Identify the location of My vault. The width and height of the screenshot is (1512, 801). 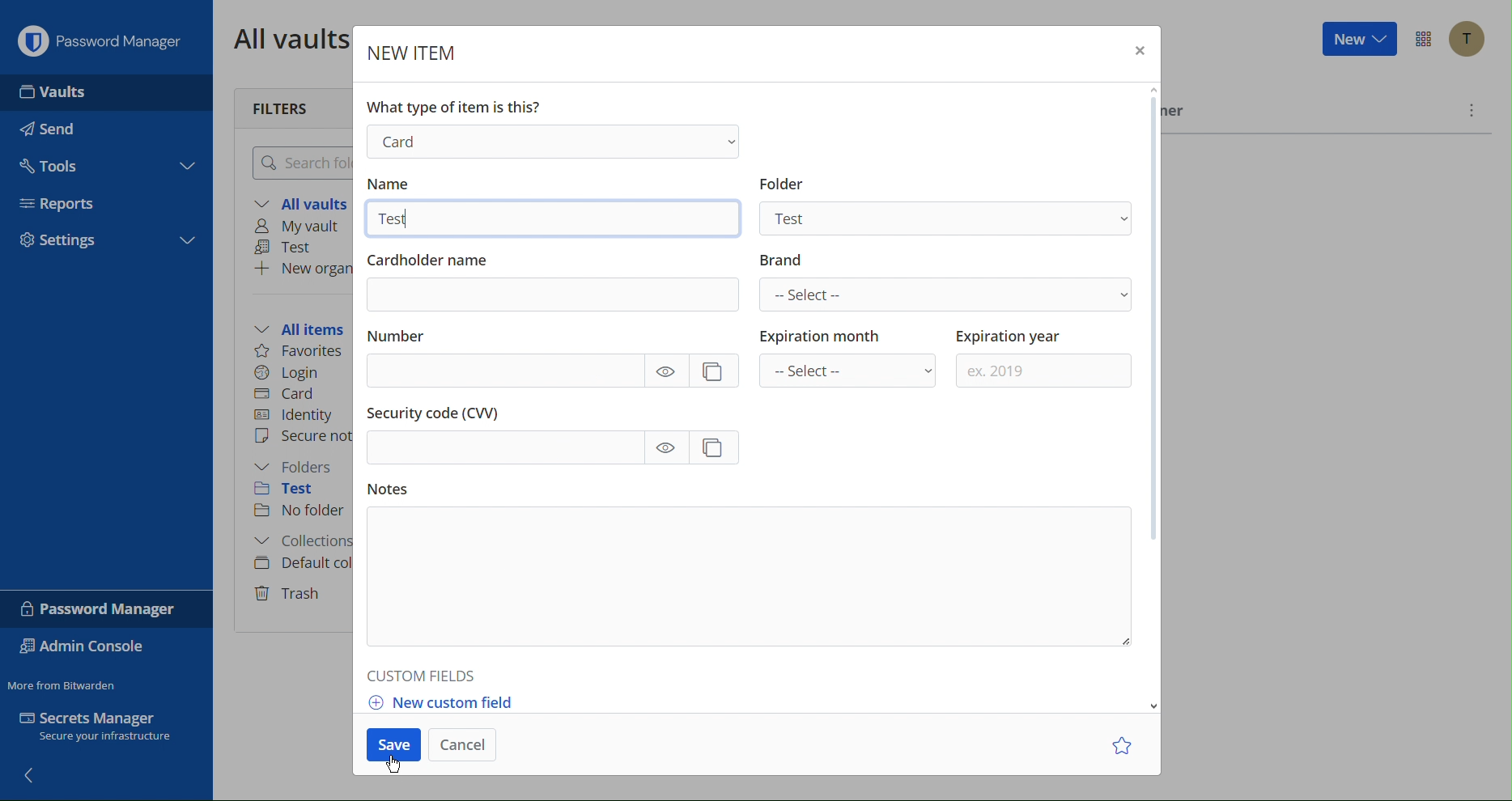
(295, 226).